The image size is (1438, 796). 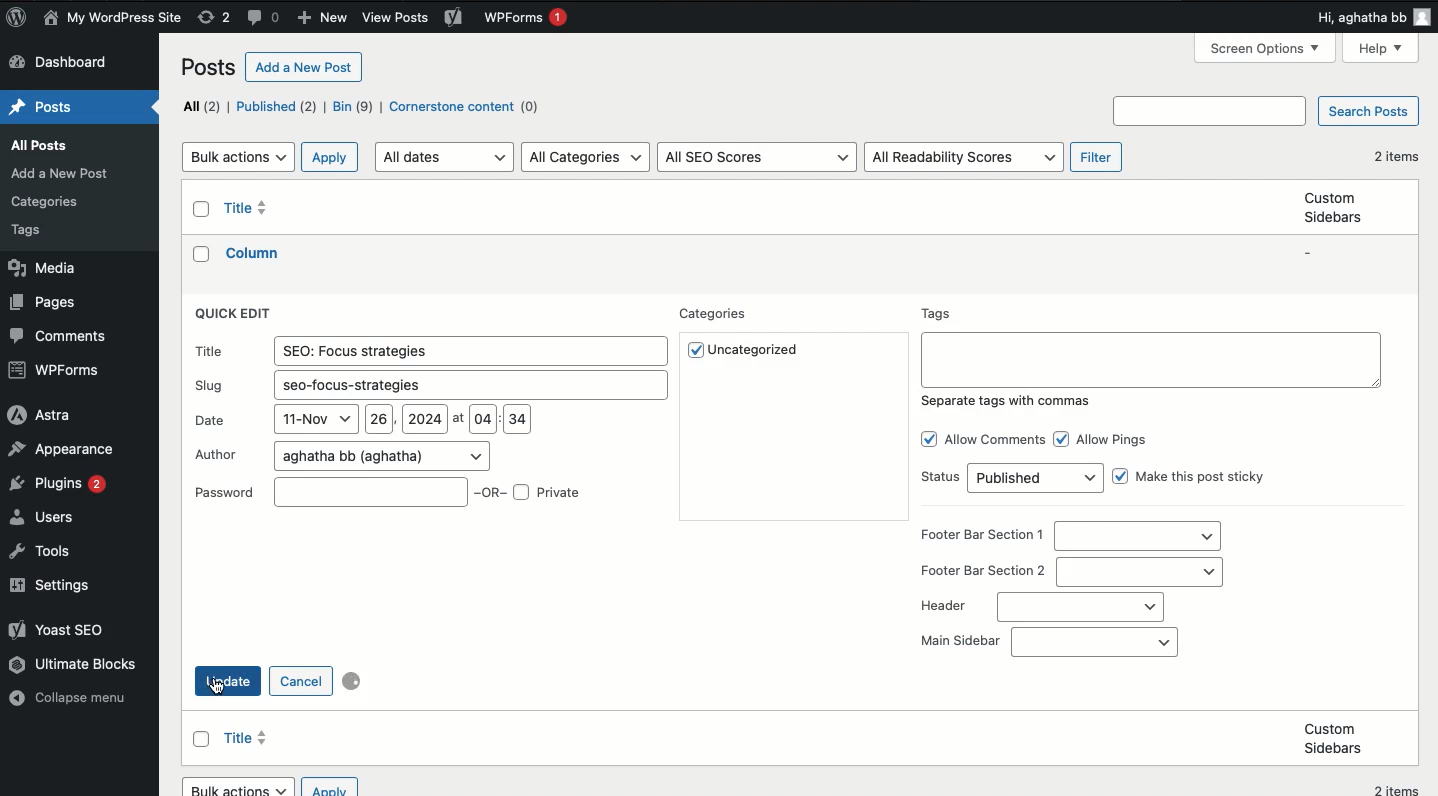 I want to click on Posts, so click(x=64, y=173).